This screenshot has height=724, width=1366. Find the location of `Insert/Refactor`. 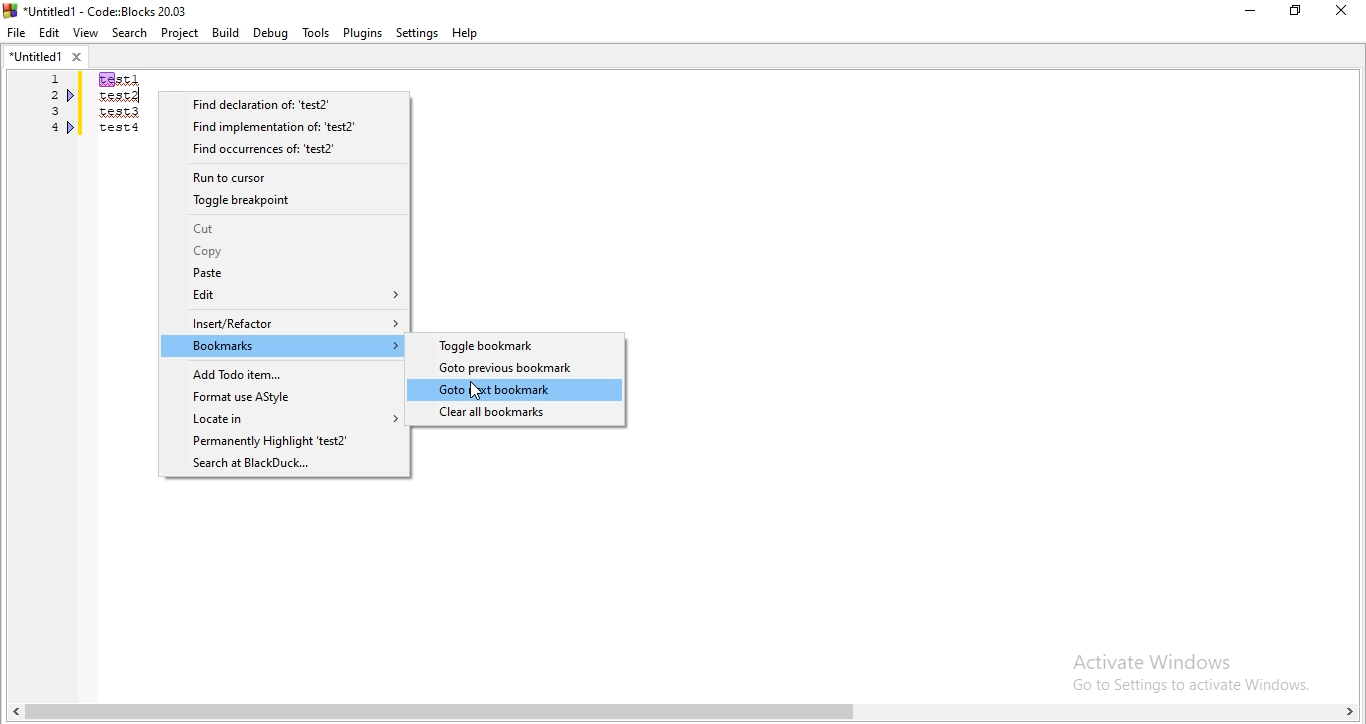

Insert/Refactor is located at coordinates (285, 322).